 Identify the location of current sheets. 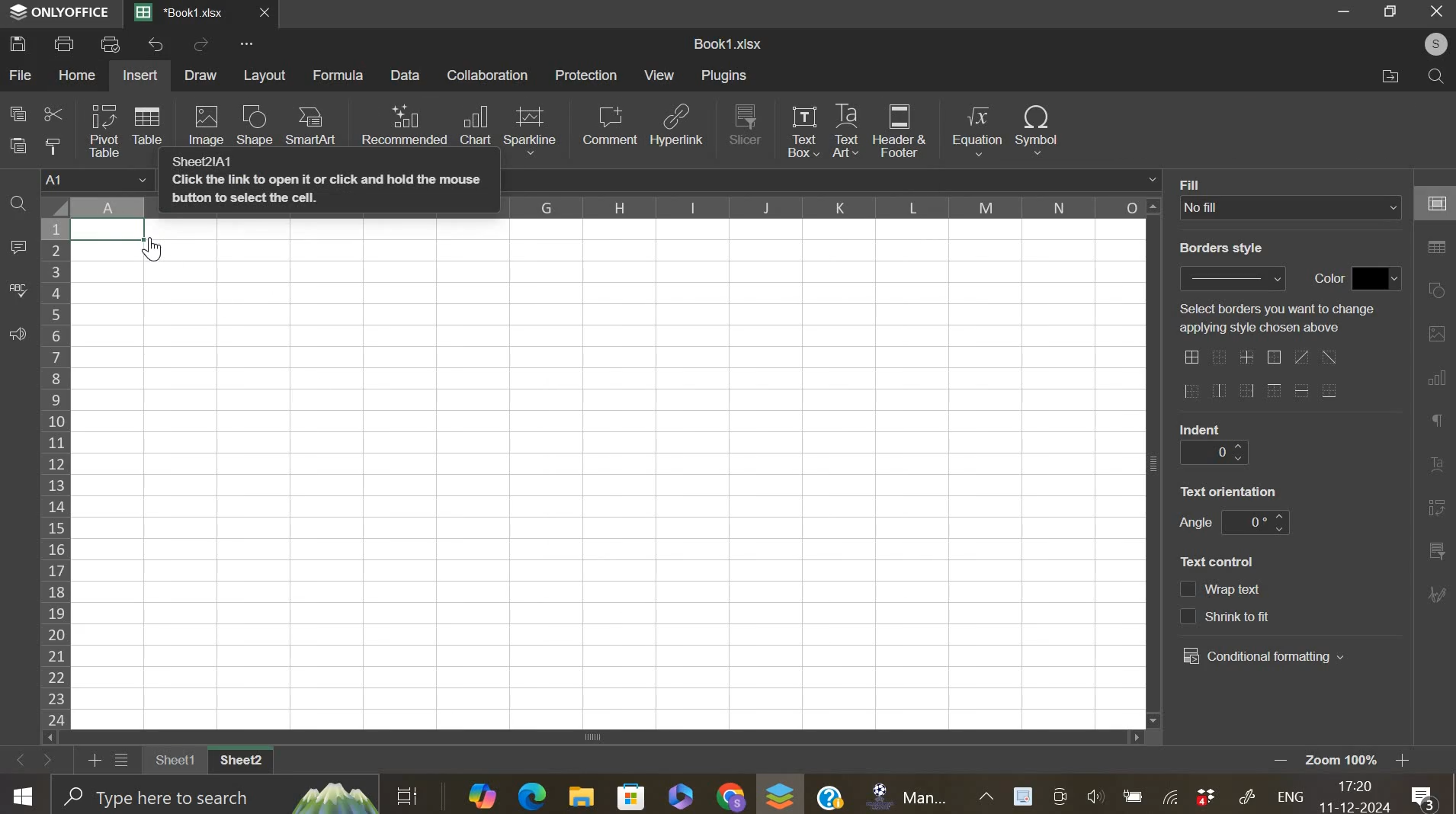
(187, 14).